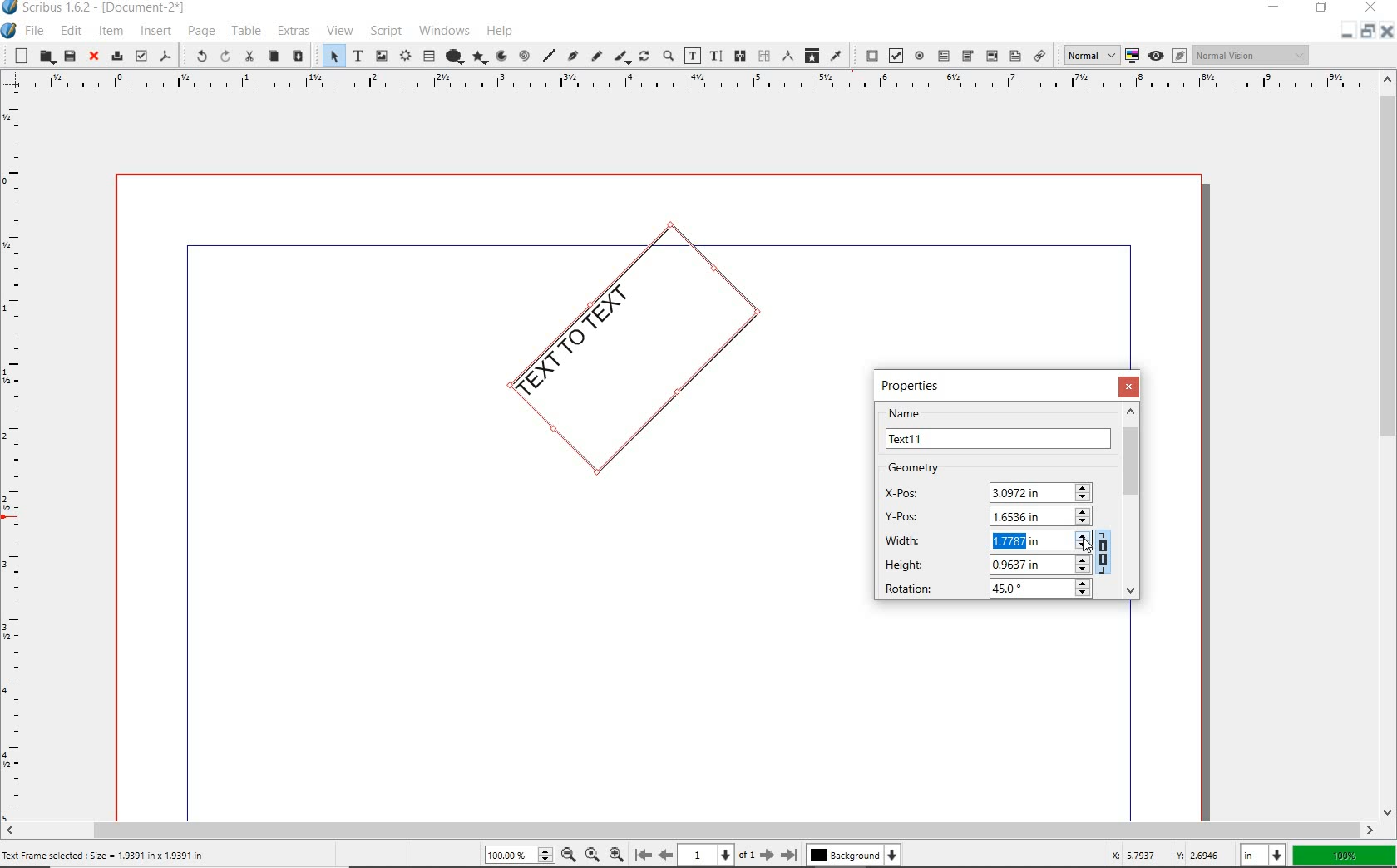 The image size is (1397, 868). I want to click on ruler, so click(17, 461).